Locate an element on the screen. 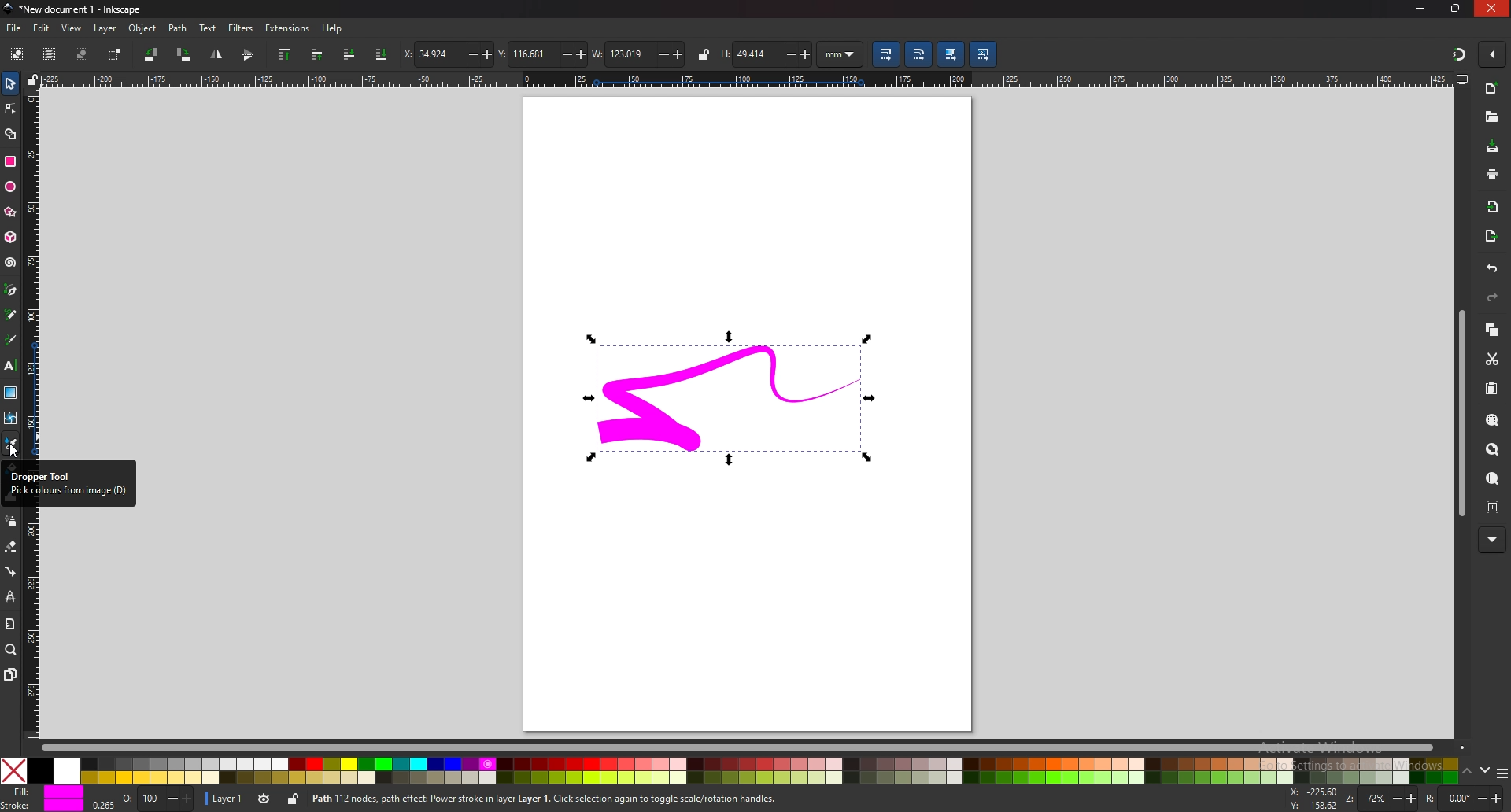  cursor is located at coordinates (17, 452).